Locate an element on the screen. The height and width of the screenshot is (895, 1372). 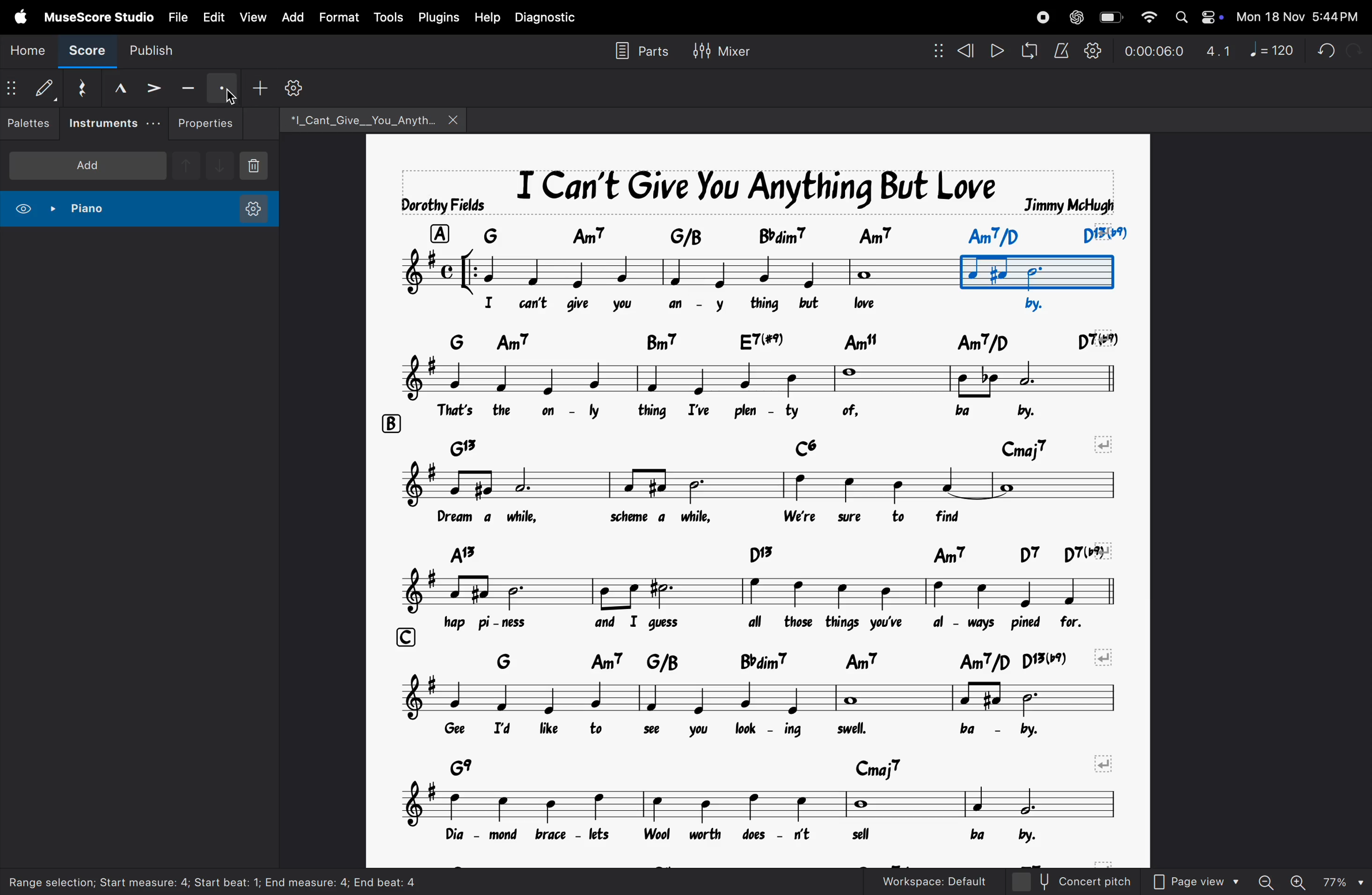
notes is located at coordinates (763, 484).